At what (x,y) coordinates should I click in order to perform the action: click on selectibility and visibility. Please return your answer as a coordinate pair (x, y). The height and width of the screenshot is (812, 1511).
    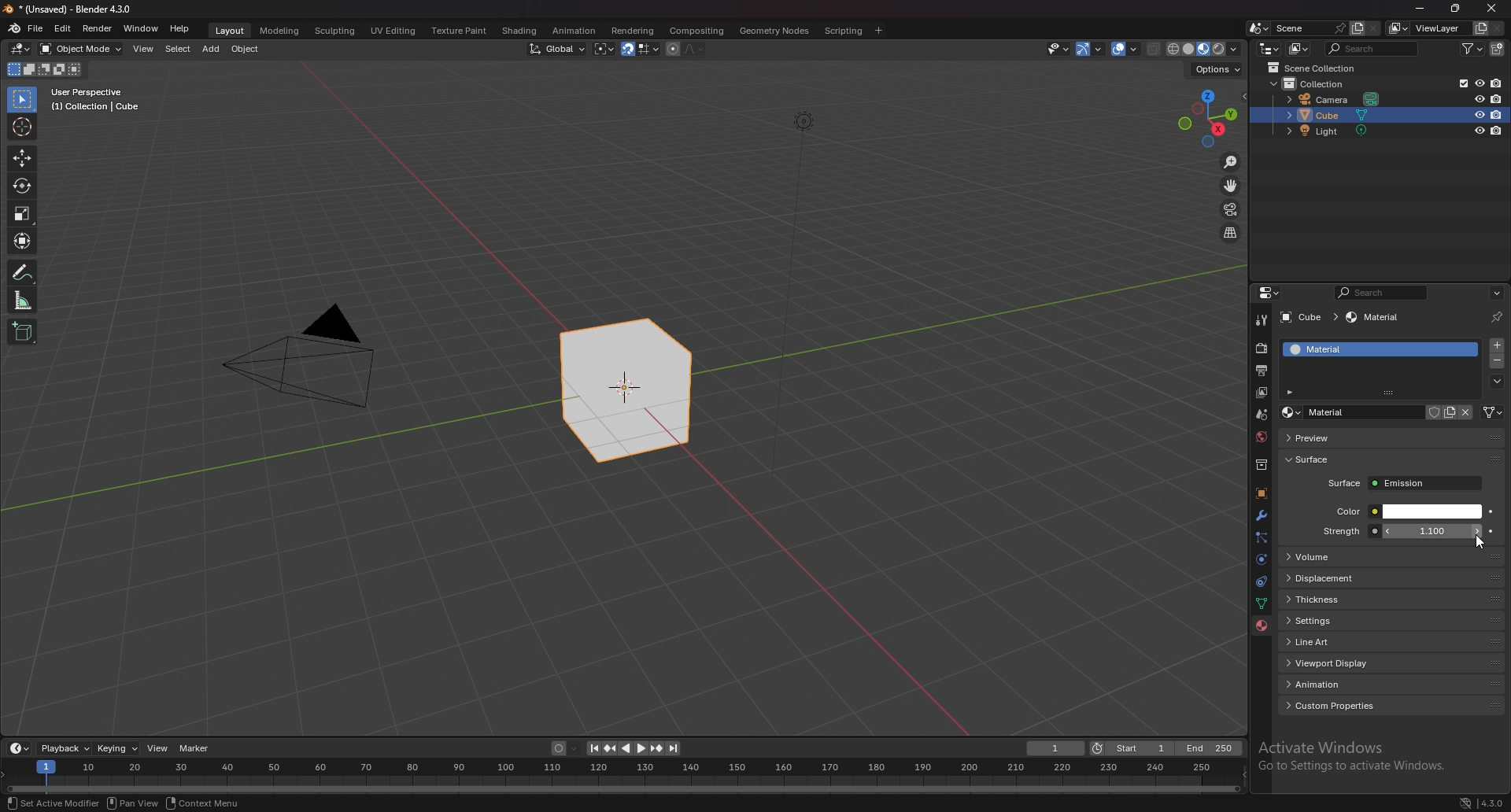
    Looking at the image, I should click on (1059, 49).